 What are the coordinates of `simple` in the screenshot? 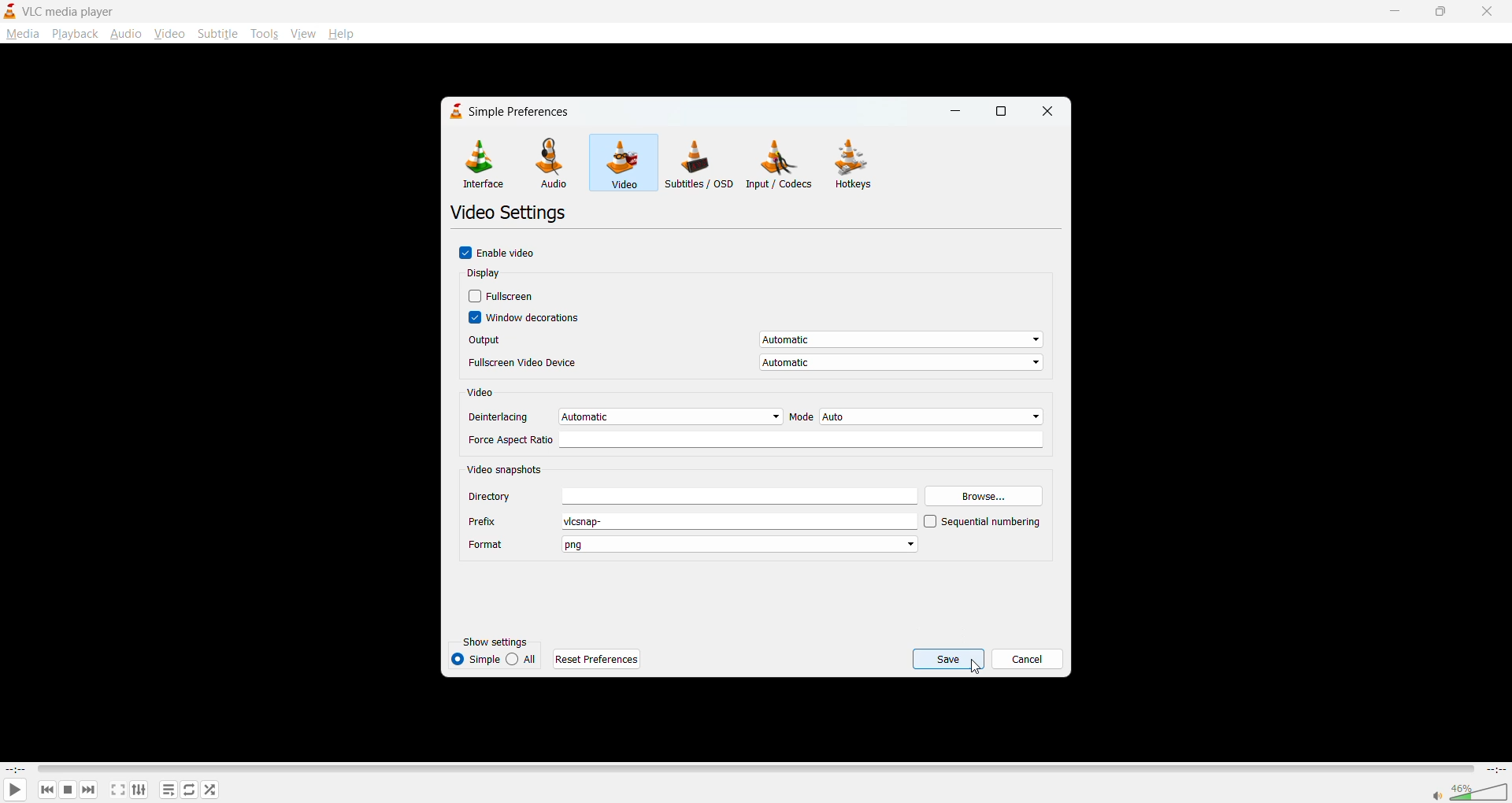 It's located at (475, 658).